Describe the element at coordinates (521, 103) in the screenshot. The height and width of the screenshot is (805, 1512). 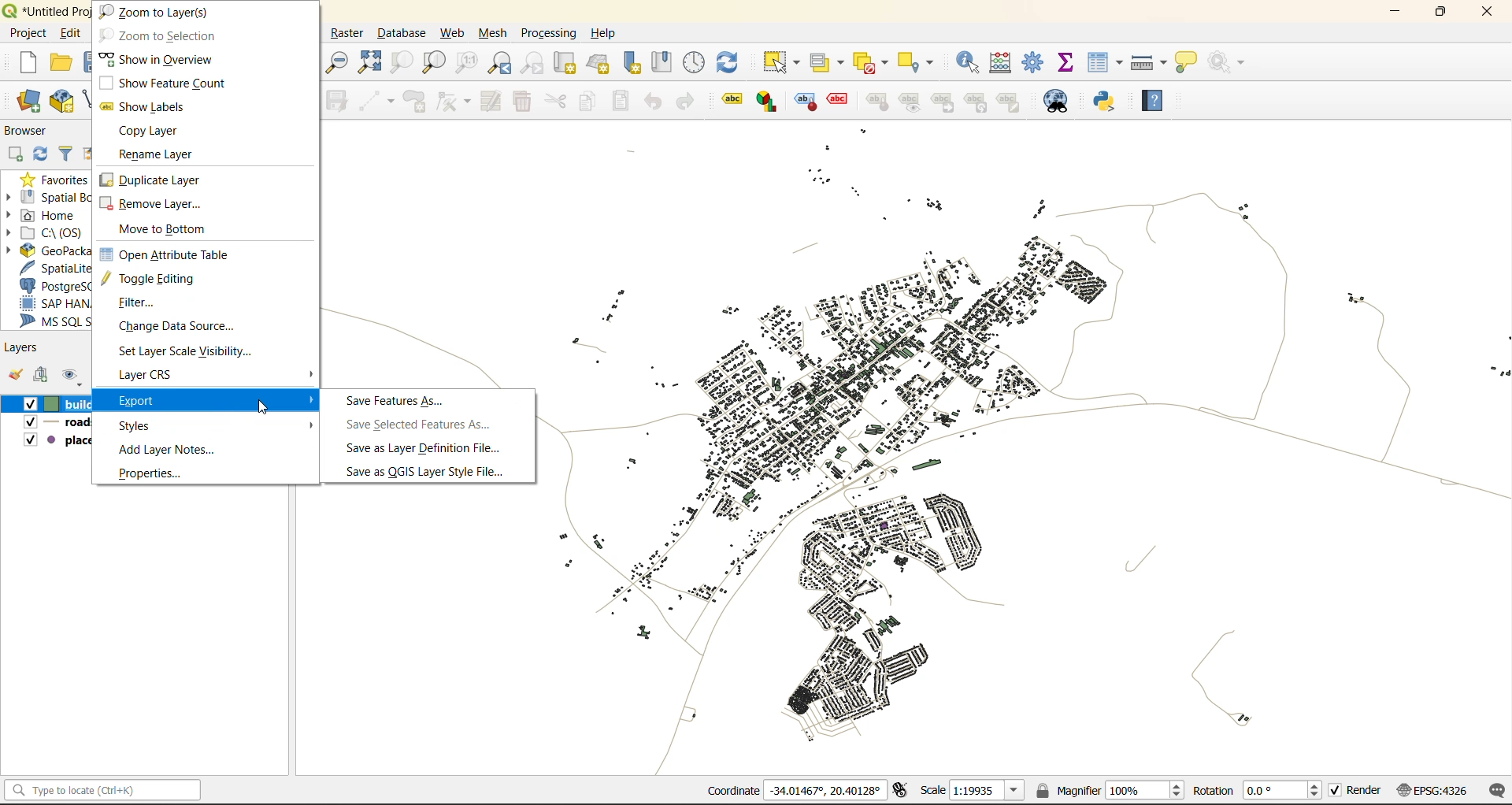
I see `delete` at that location.